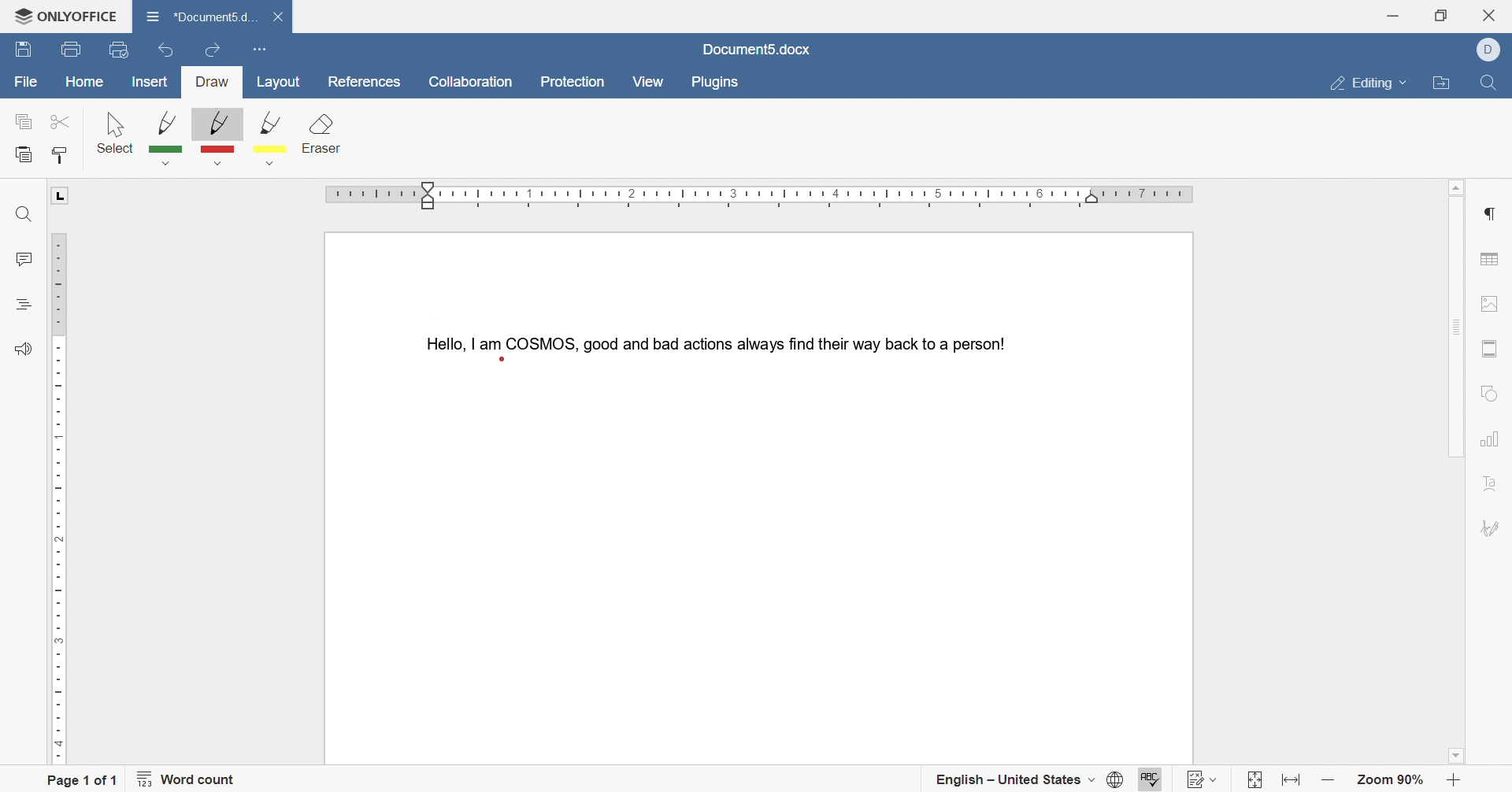  I want to click on scroll up, so click(1461, 184).